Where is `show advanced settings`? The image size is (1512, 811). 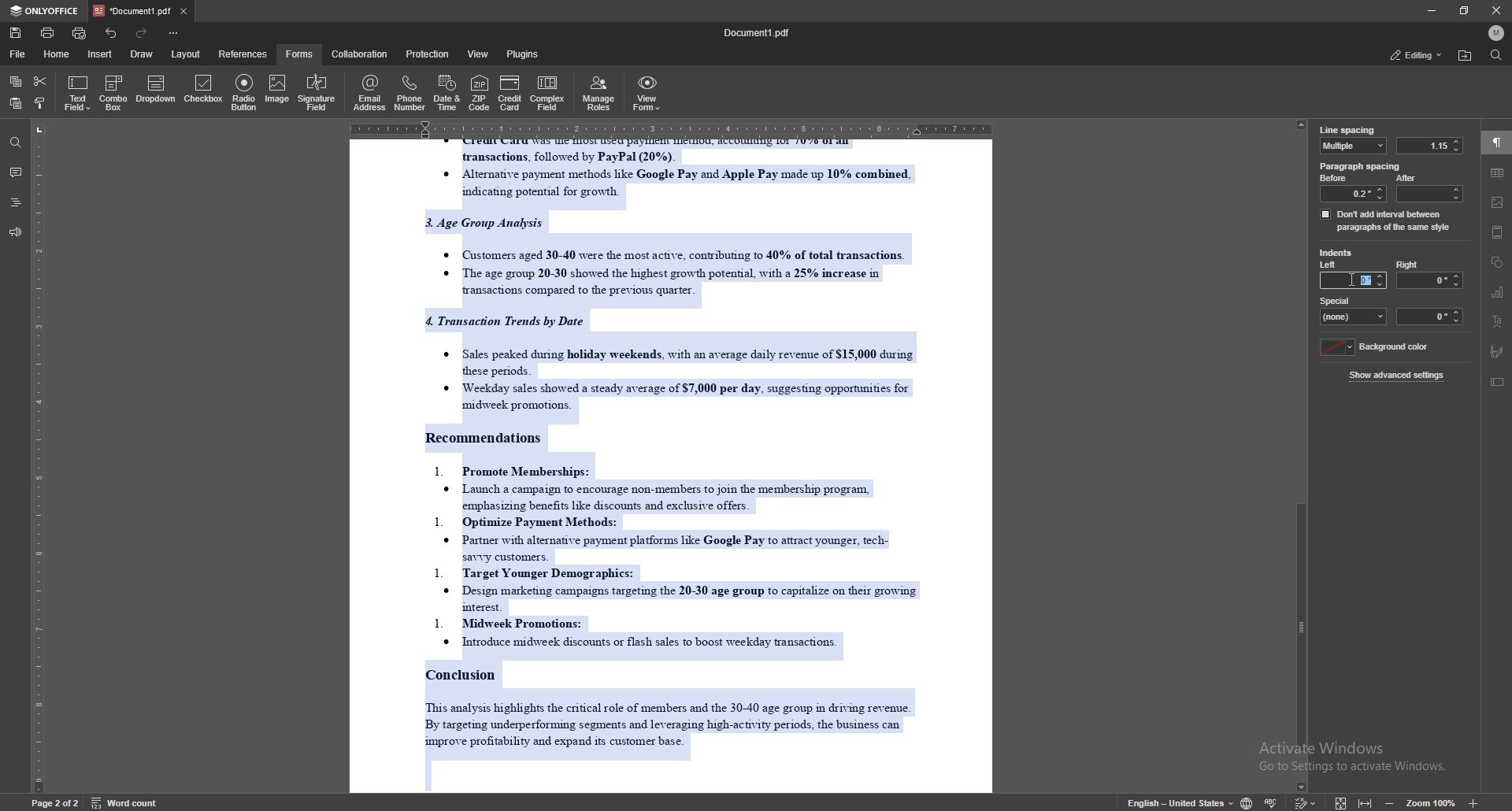
show advanced settings is located at coordinates (1399, 375).